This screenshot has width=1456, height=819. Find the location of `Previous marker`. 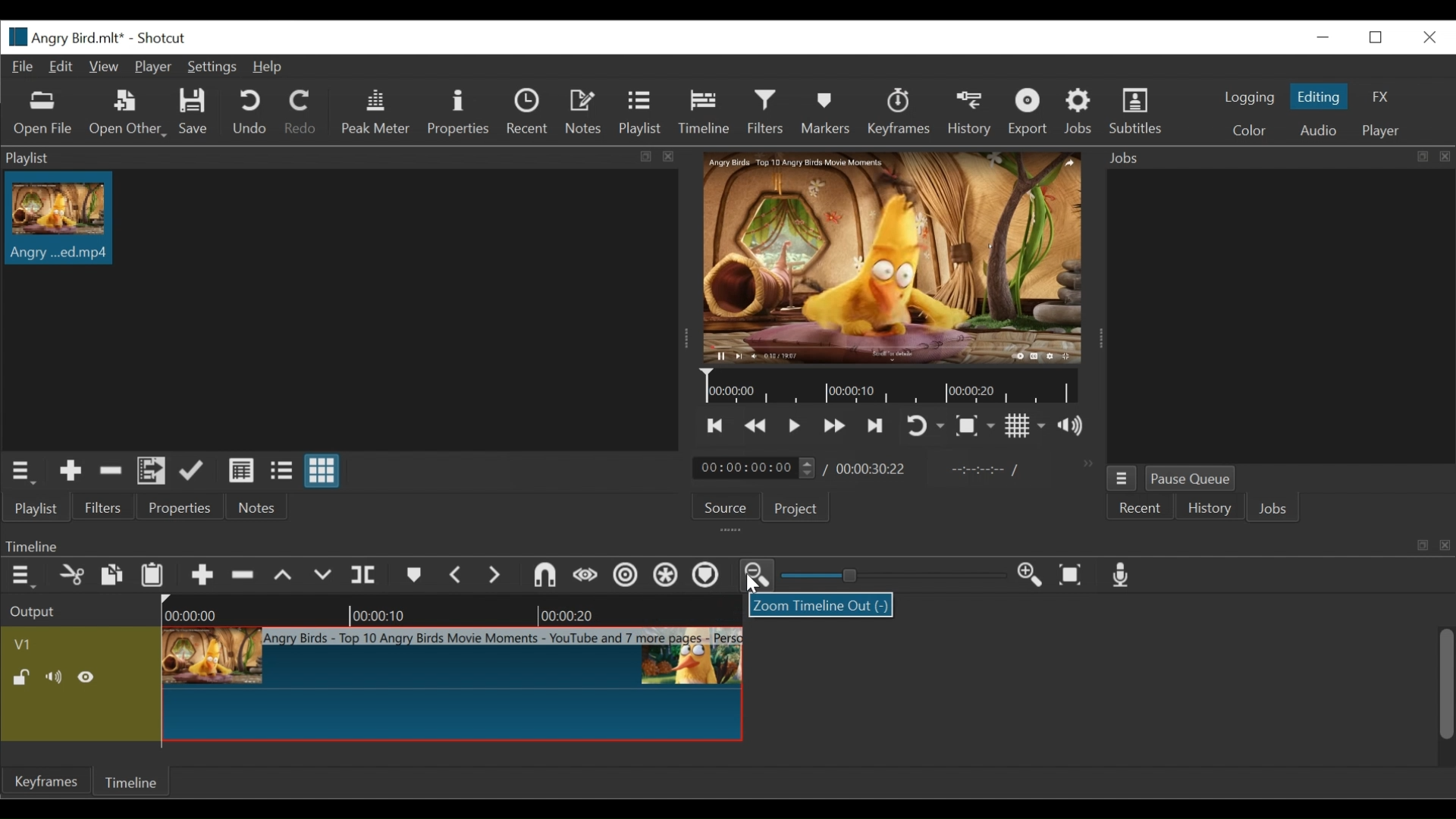

Previous marker is located at coordinates (457, 576).